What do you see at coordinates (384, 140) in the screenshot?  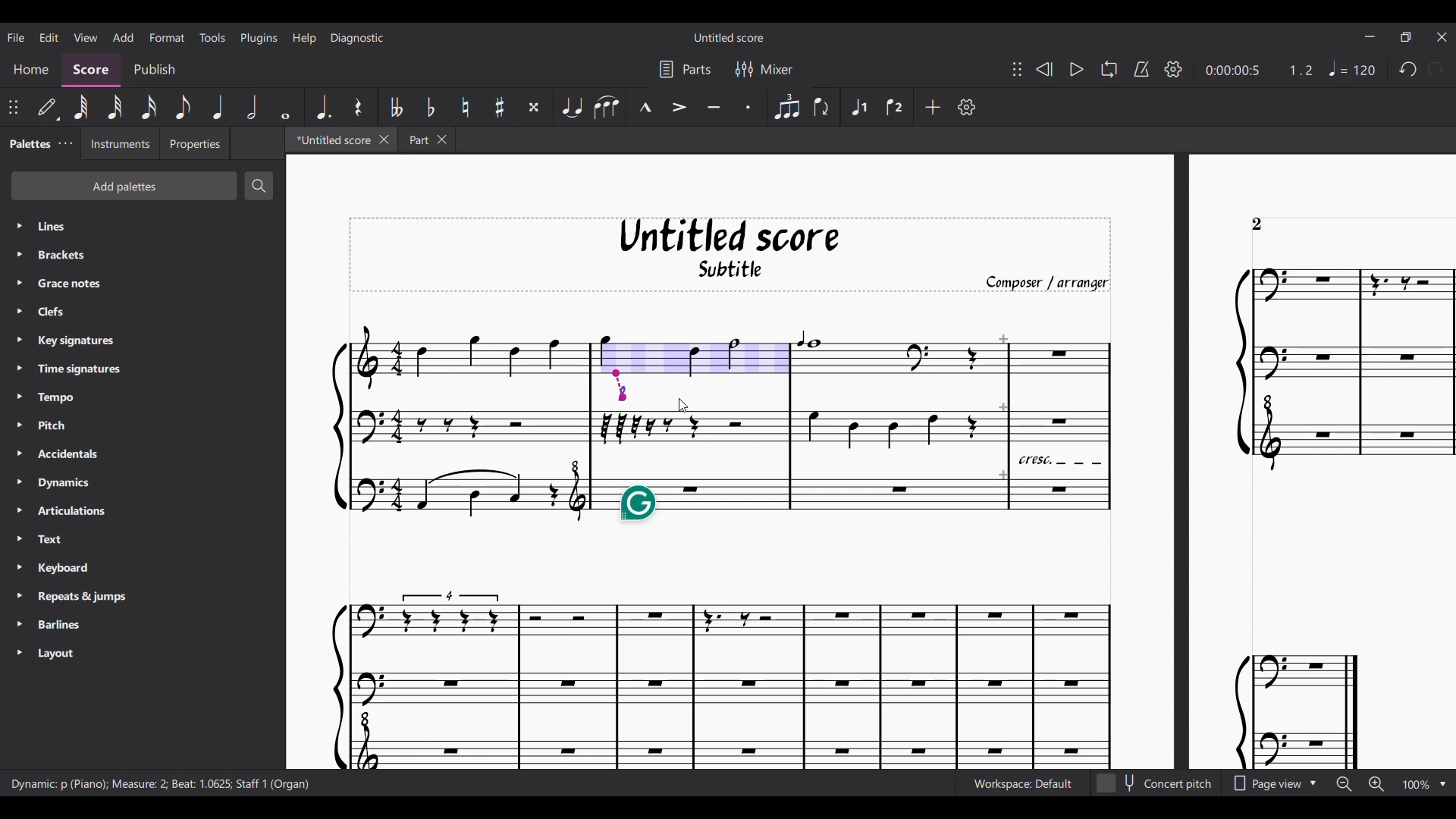 I see `Close current tab` at bounding box center [384, 140].